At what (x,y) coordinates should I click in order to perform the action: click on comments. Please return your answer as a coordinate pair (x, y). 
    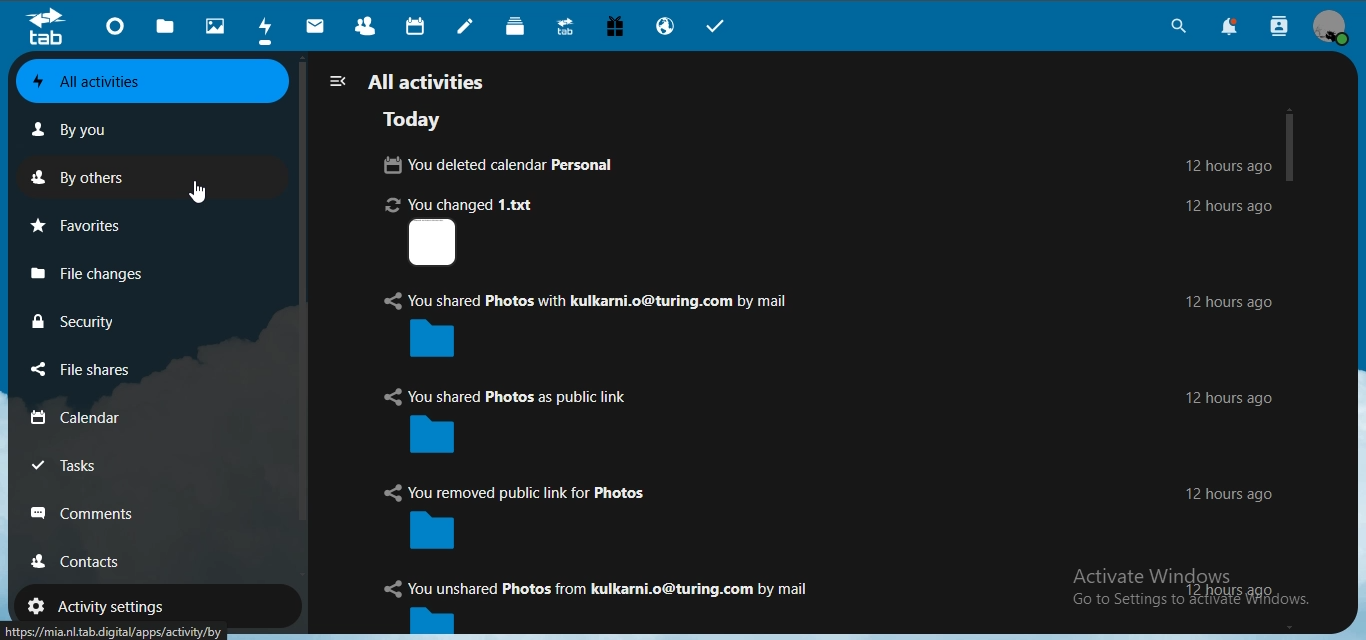
    Looking at the image, I should click on (90, 512).